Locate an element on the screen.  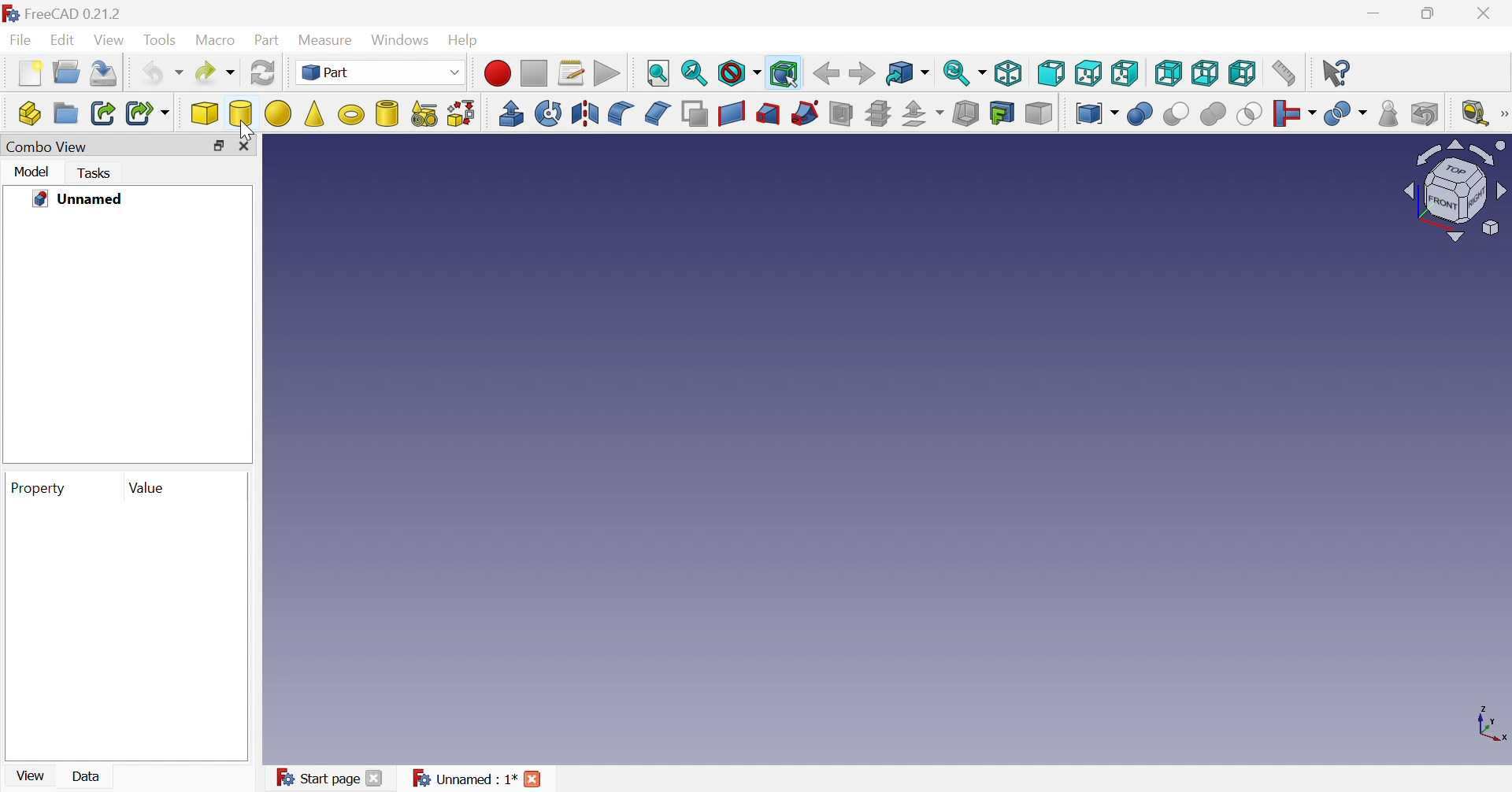
Draw style is located at coordinates (738, 75).